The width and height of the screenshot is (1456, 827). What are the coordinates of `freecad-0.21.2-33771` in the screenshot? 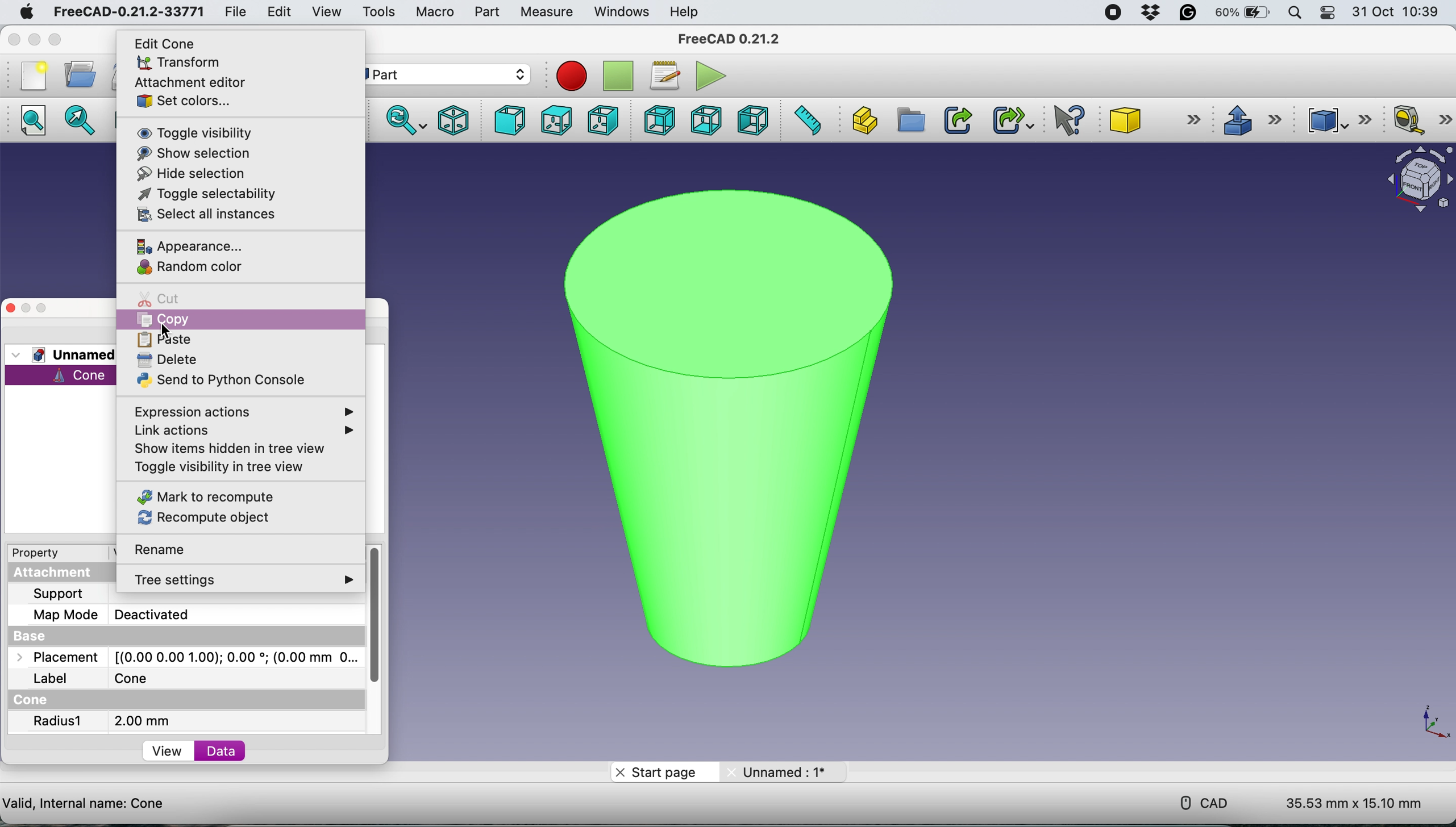 It's located at (130, 12).